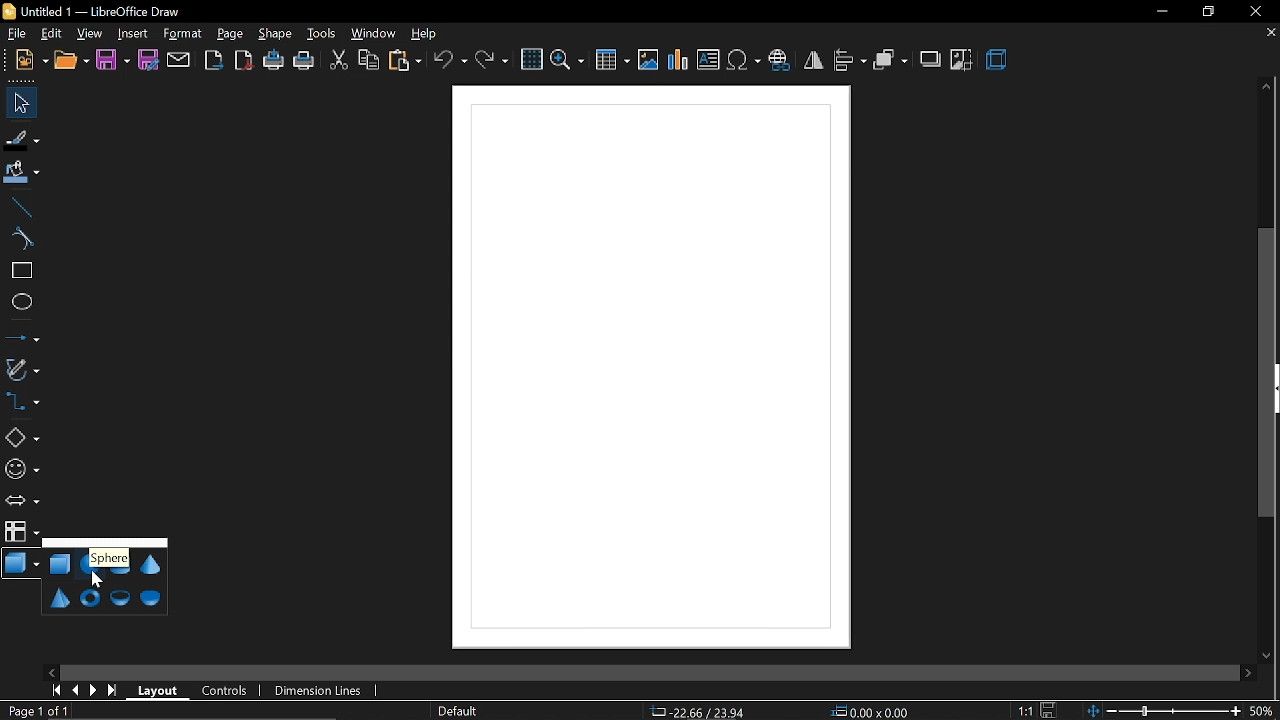  Describe the element at coordinates (648, 59) in the screenshot. I see `insert image` at that location.